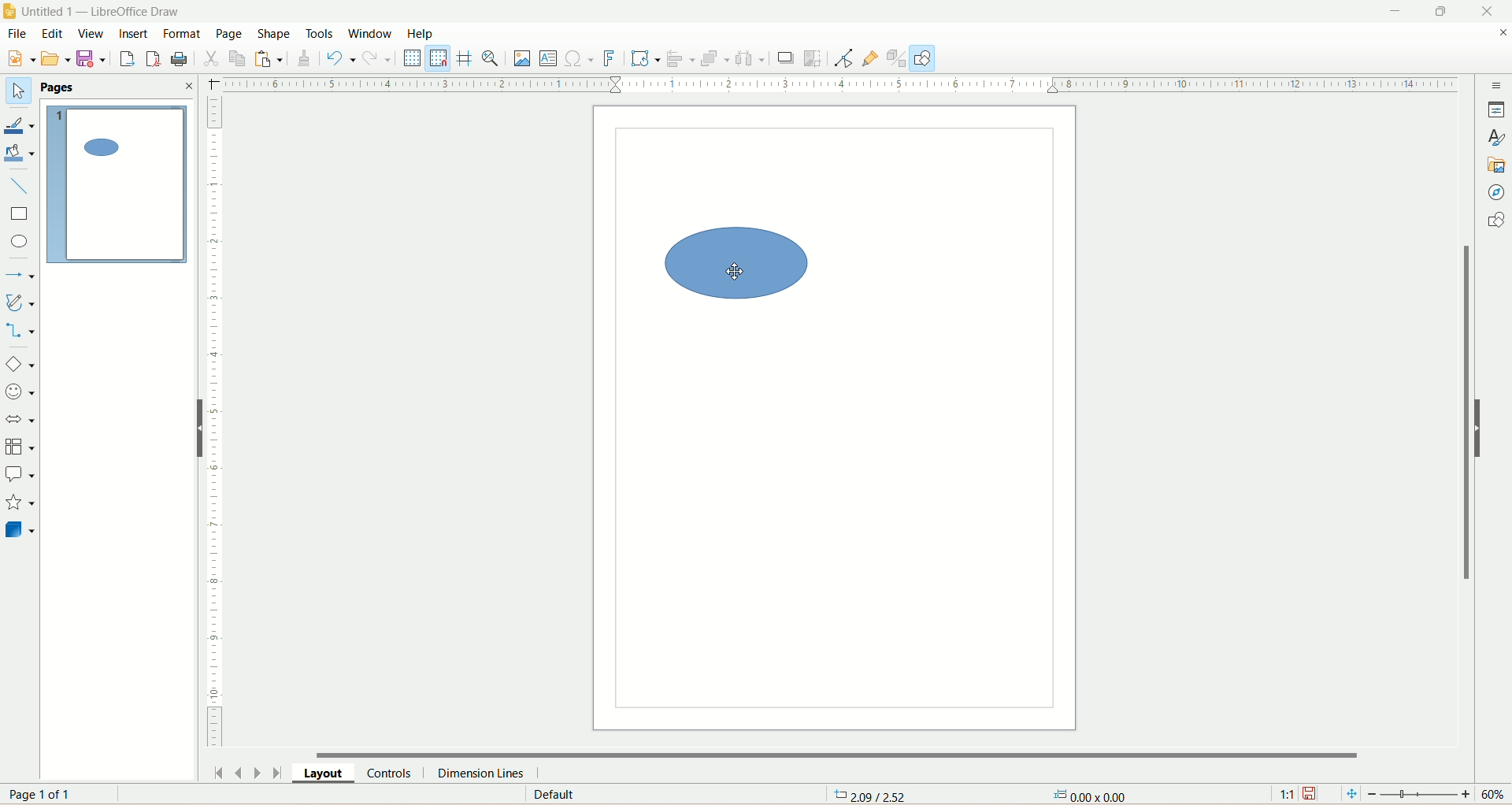 Image resolution: width=1512 pixels, height=805 pixels. I want to click on clone formatting, so click(308, 58).